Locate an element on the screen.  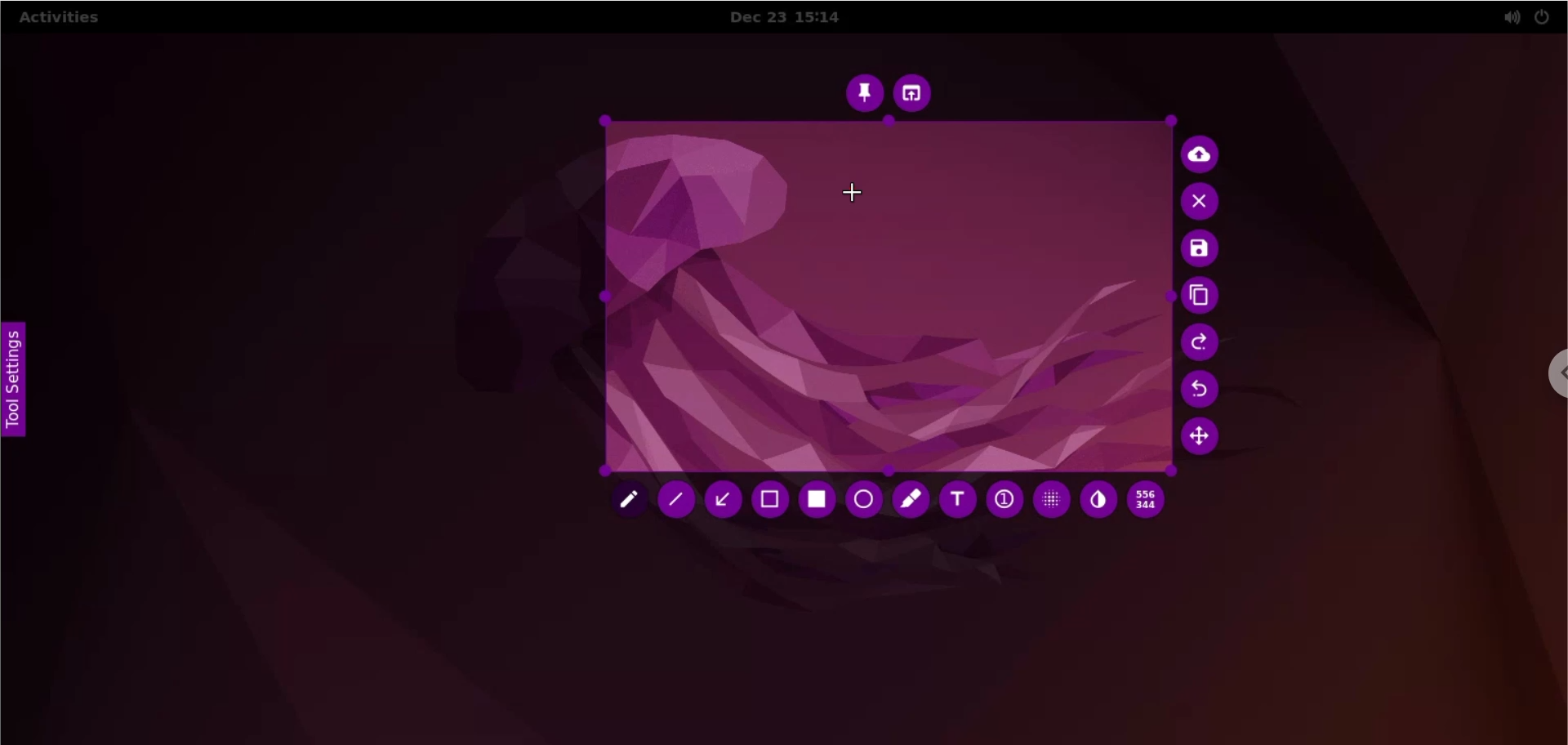
redo is located at coordinates (1202, 346).